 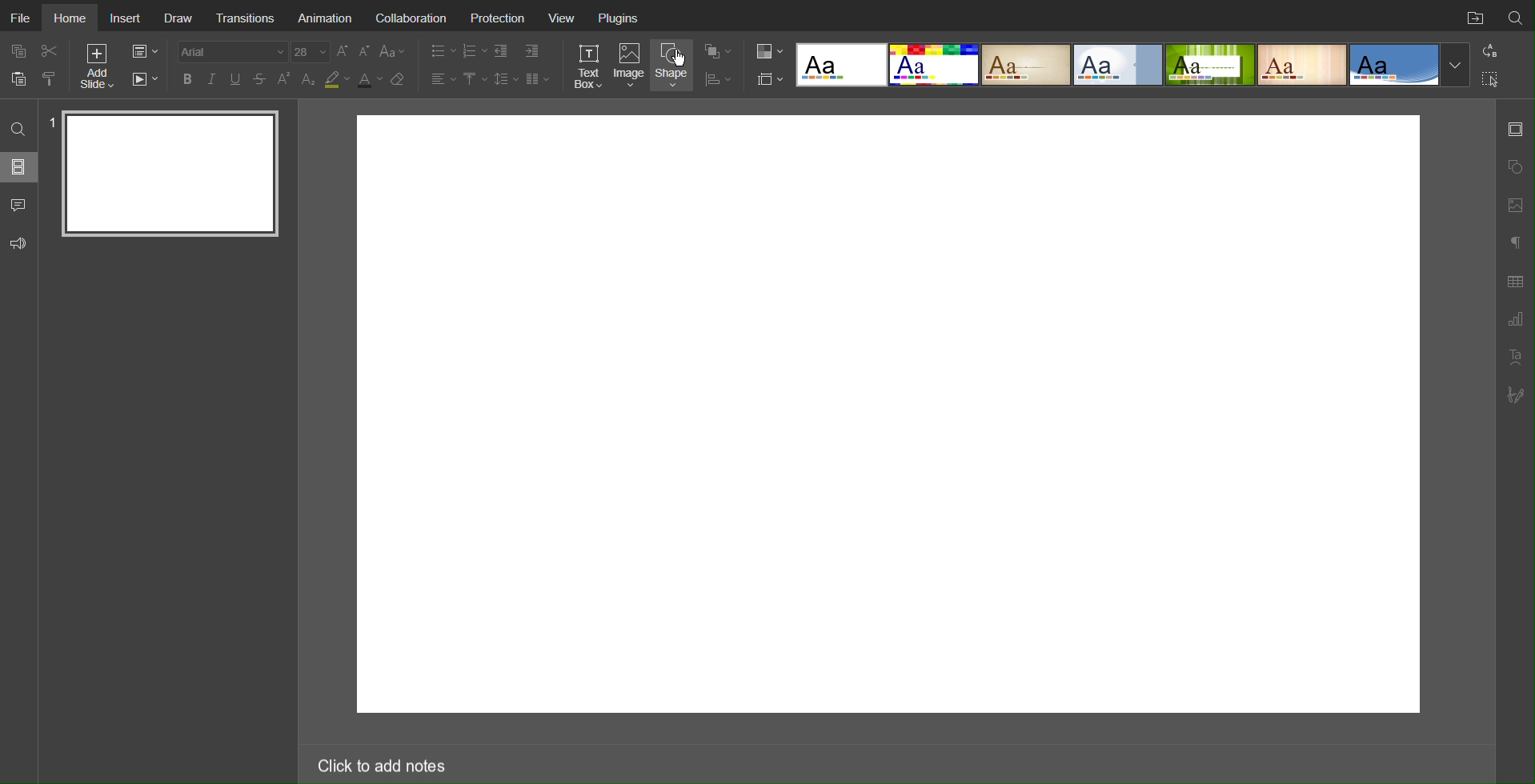 What do you see at coordinates (20, 205) in the screenshot?
I see `Comments` at bounding box center [20, 205].